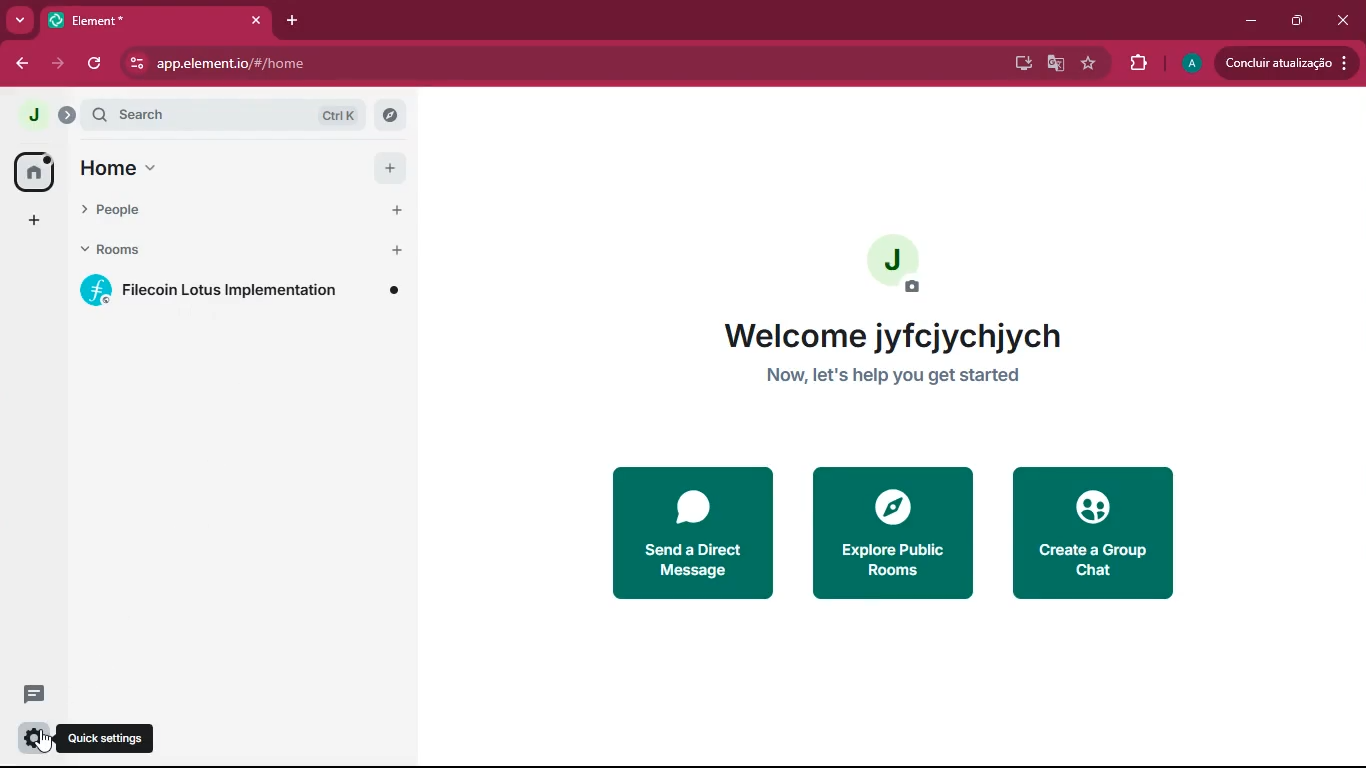  Describe the element at coordinates (892, 336) in the screenshot. I see `Welcome jyfcjychjych` at that location.